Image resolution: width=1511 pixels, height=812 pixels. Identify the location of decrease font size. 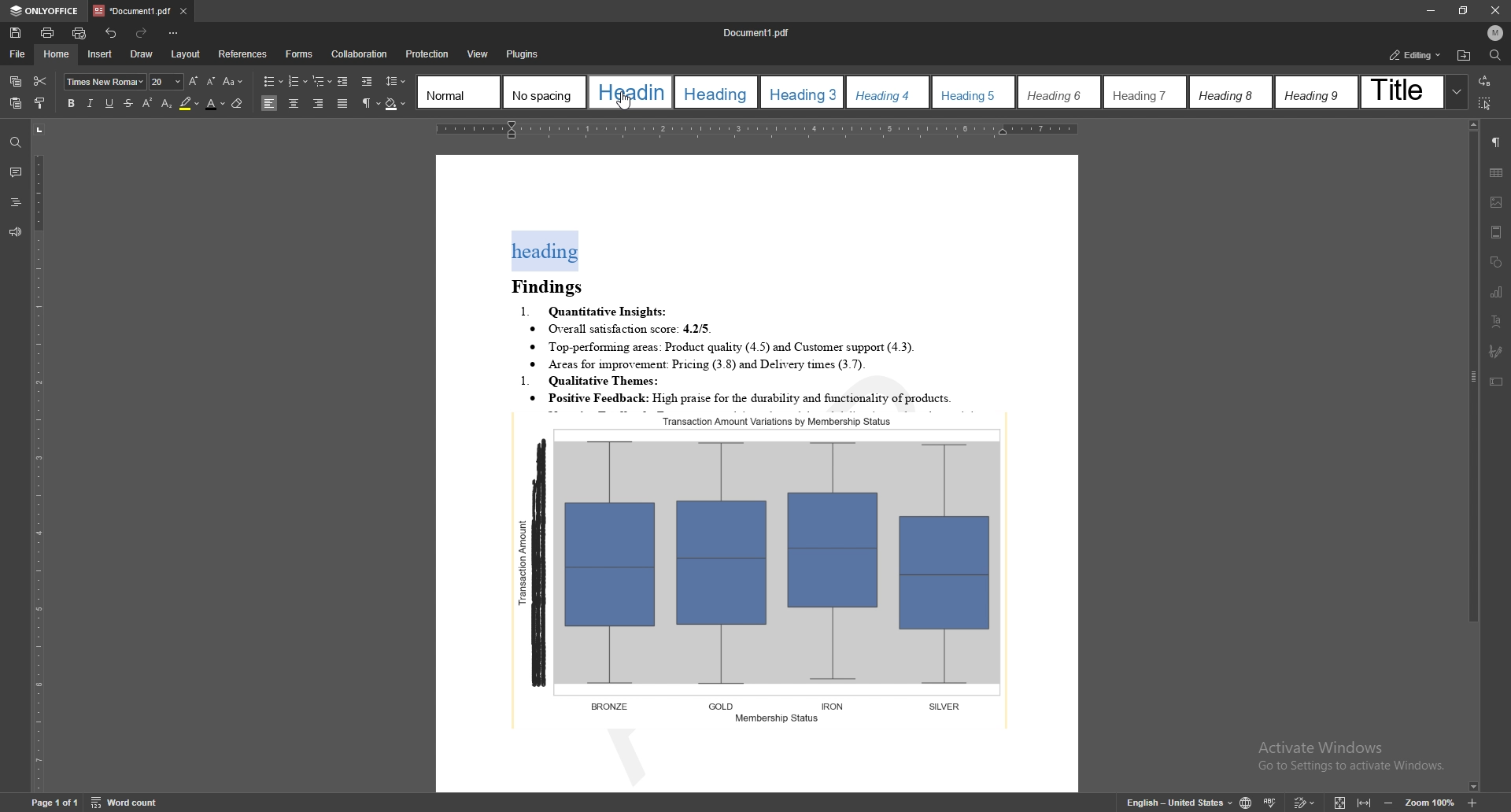
(210, 81).